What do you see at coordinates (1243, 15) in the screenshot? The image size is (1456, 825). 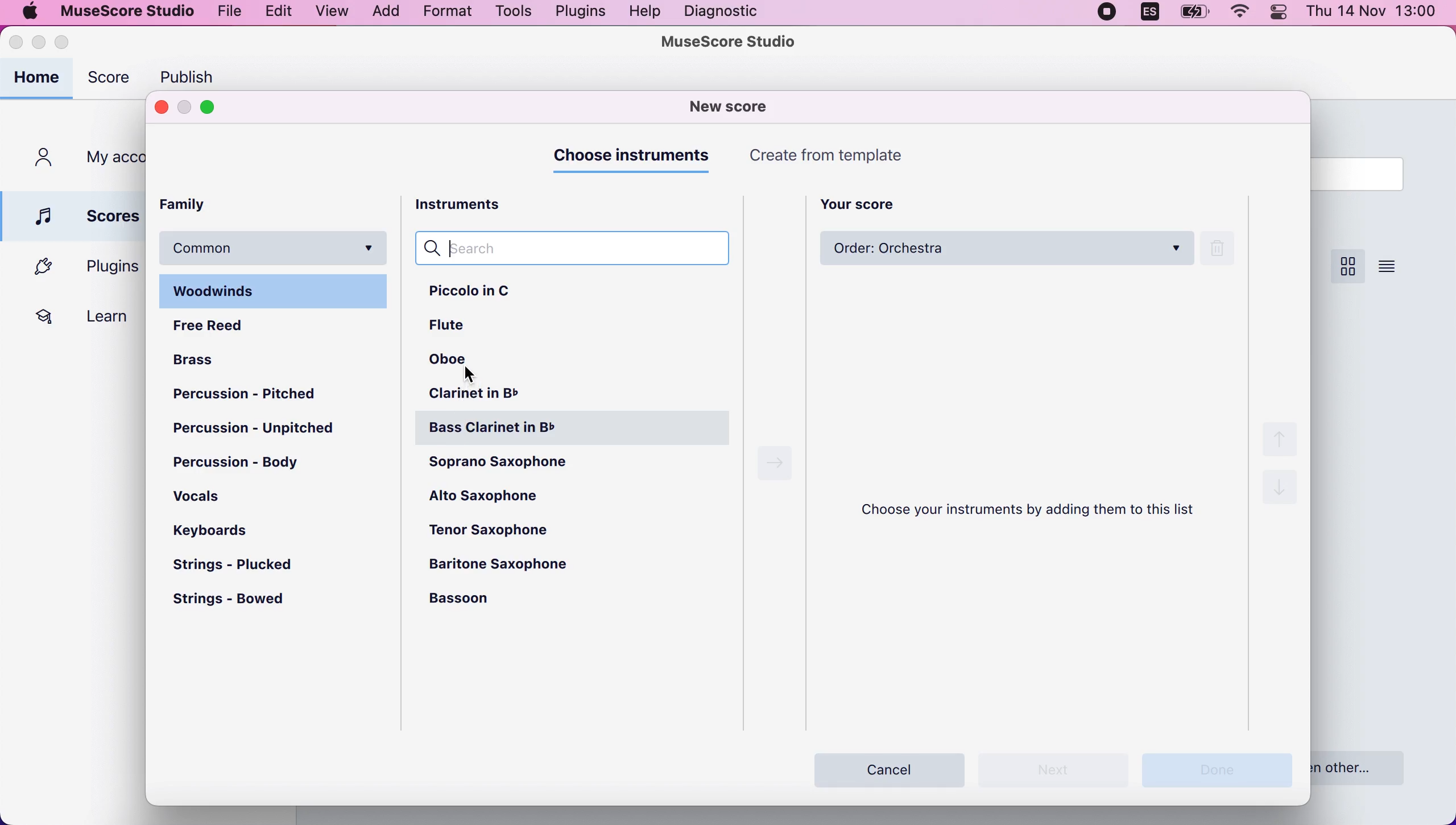 I see `wifi` at bounding box center [1243, 15].